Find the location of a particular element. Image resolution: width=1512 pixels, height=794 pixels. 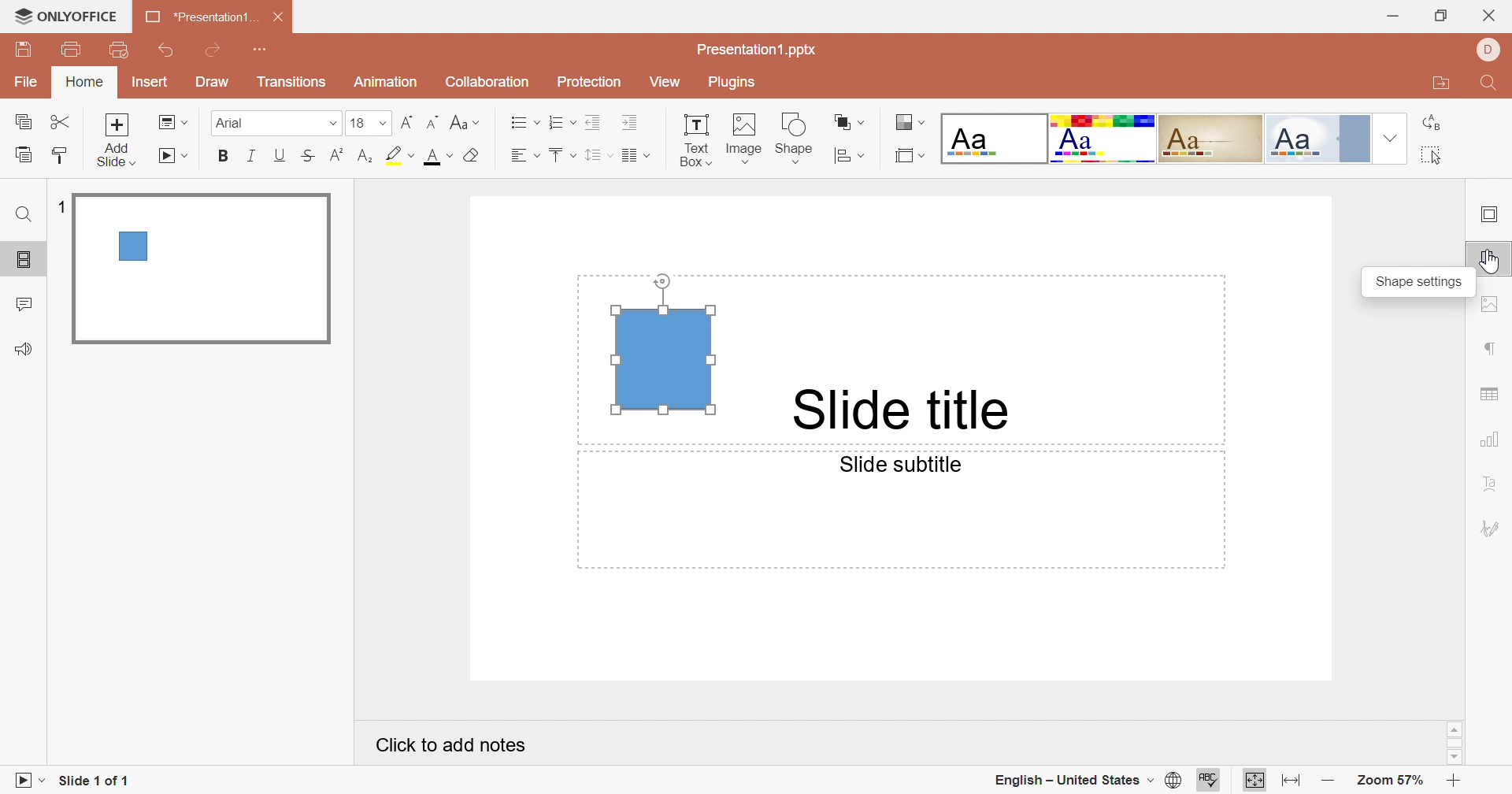

Minimize is located at coordinates (1392, 17).